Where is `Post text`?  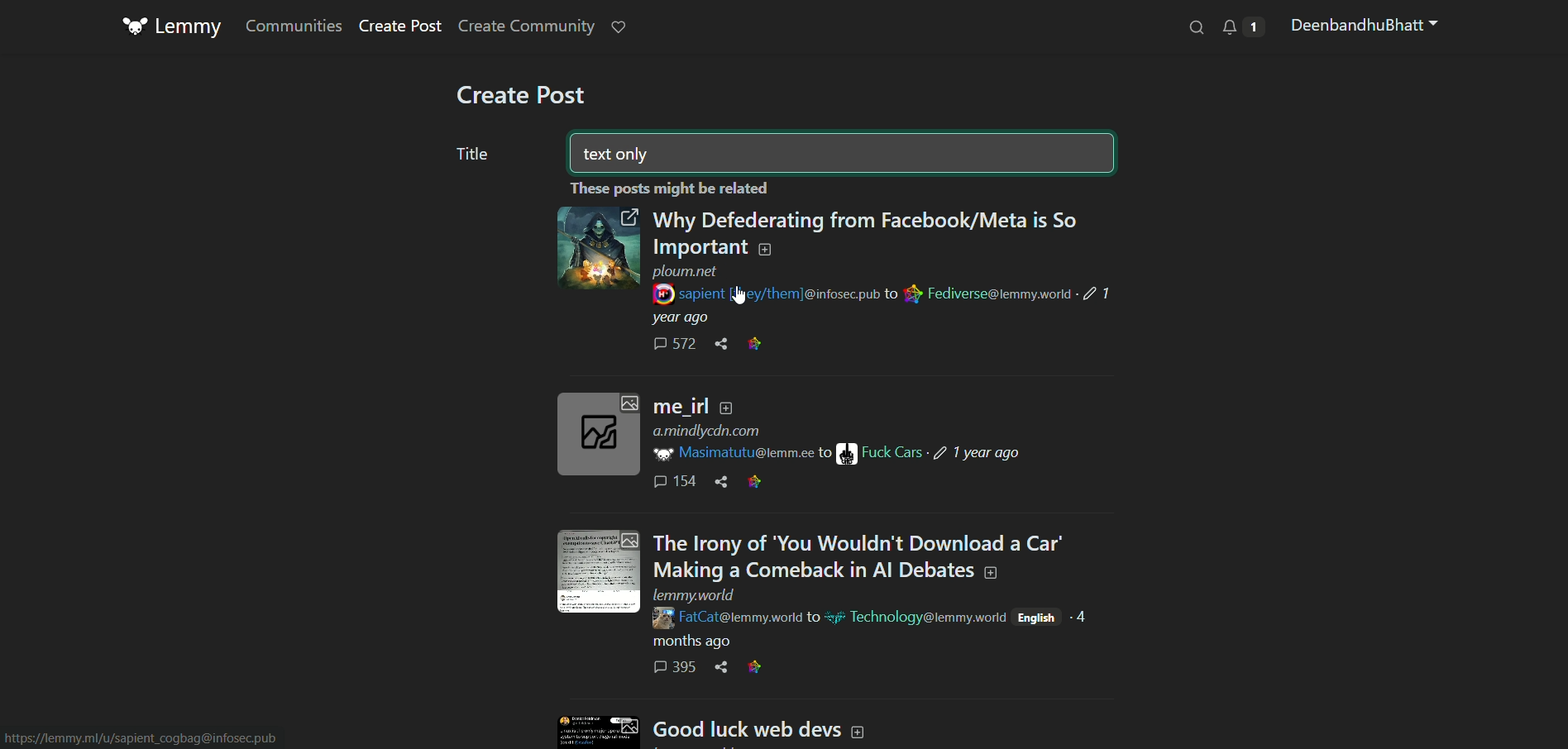
Post text is located at coordinates (863, 222).